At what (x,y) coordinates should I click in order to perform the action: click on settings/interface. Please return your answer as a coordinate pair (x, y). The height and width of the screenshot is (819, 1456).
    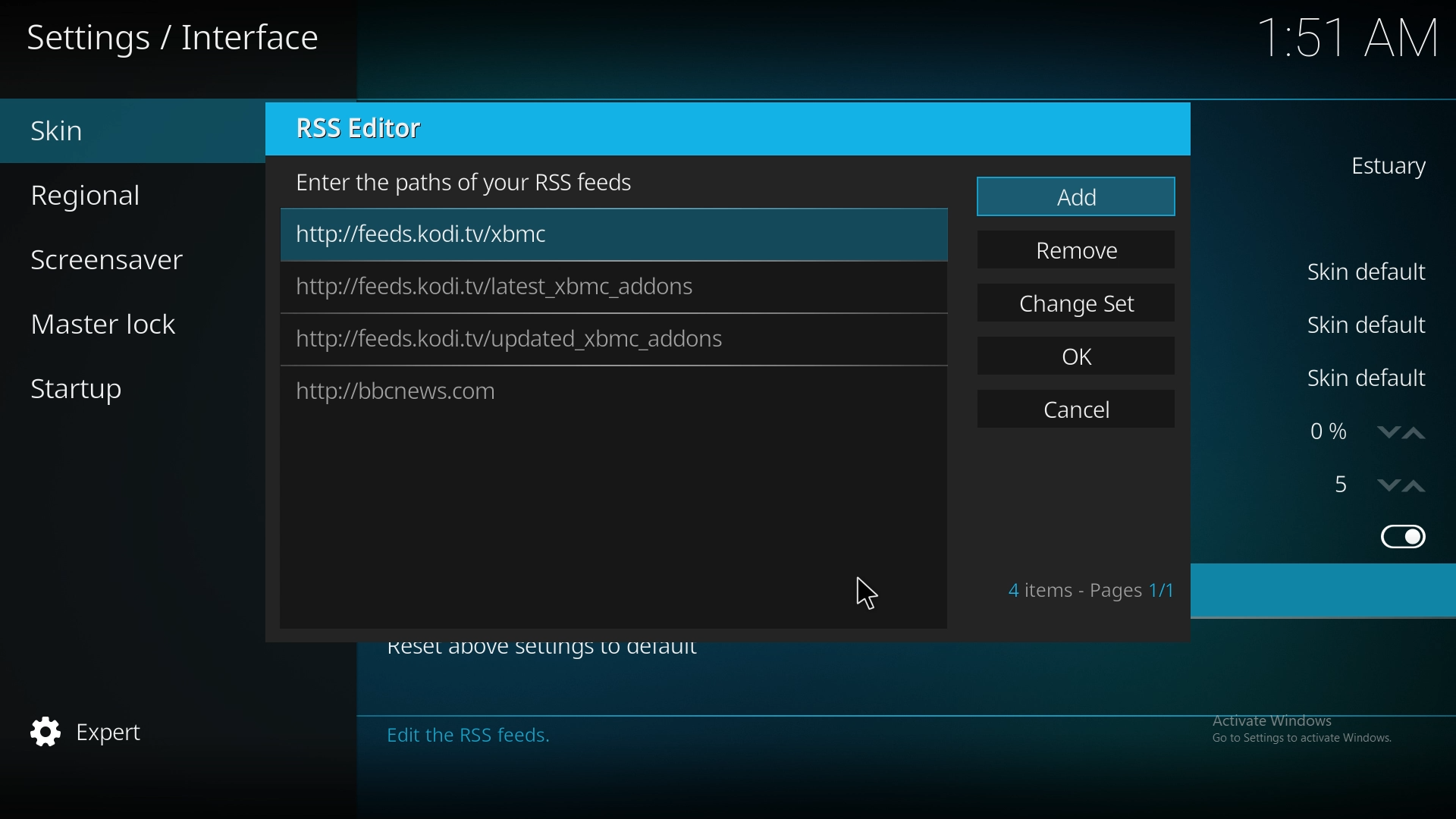
    Looking at the image, I should click on (178, 40).